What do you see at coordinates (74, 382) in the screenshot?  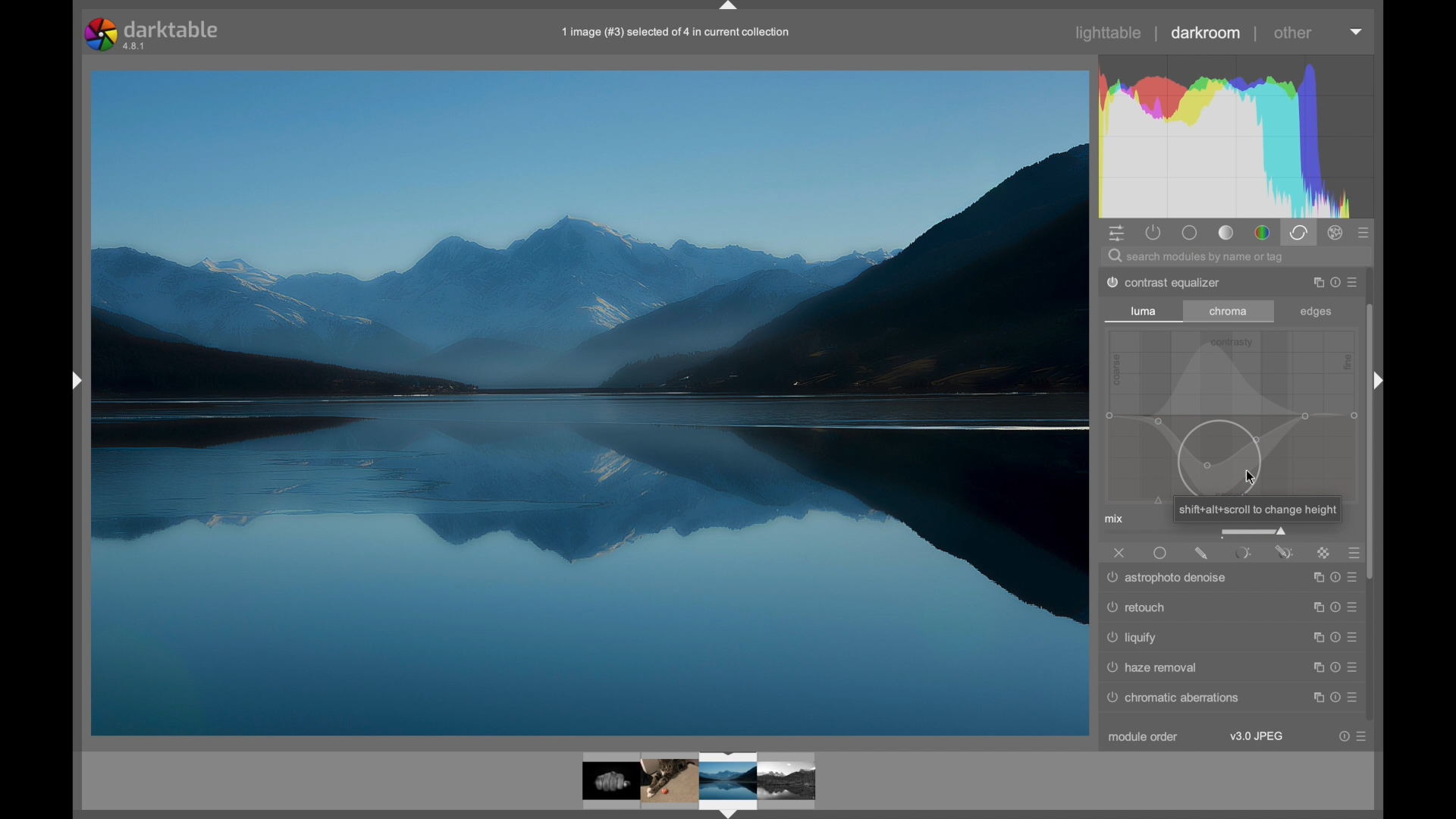 I see `drag handle` at bounding box center [74, 382].